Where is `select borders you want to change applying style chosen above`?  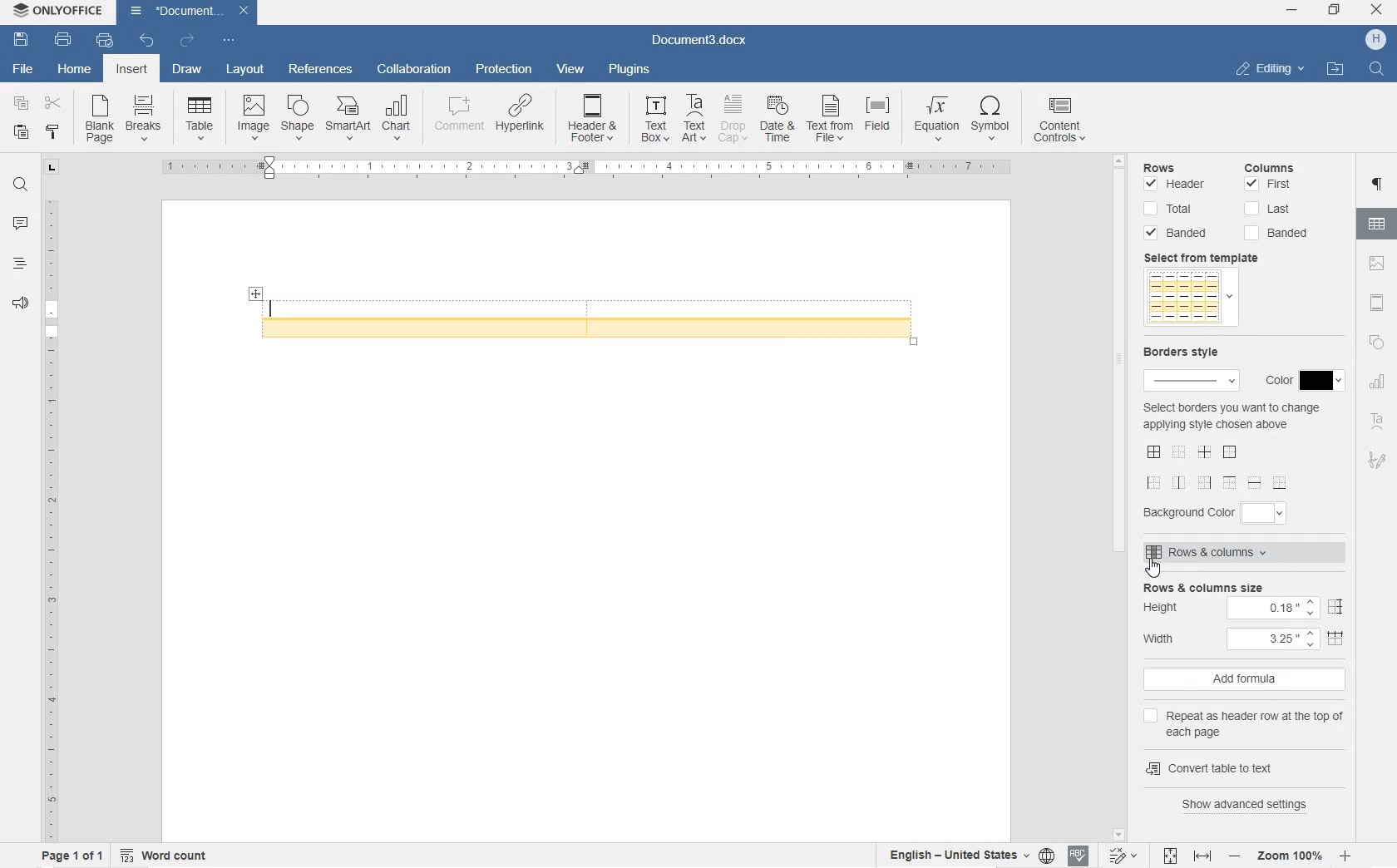
select borders you want to change applying style chosen above is located at coordinates (1231, 417).